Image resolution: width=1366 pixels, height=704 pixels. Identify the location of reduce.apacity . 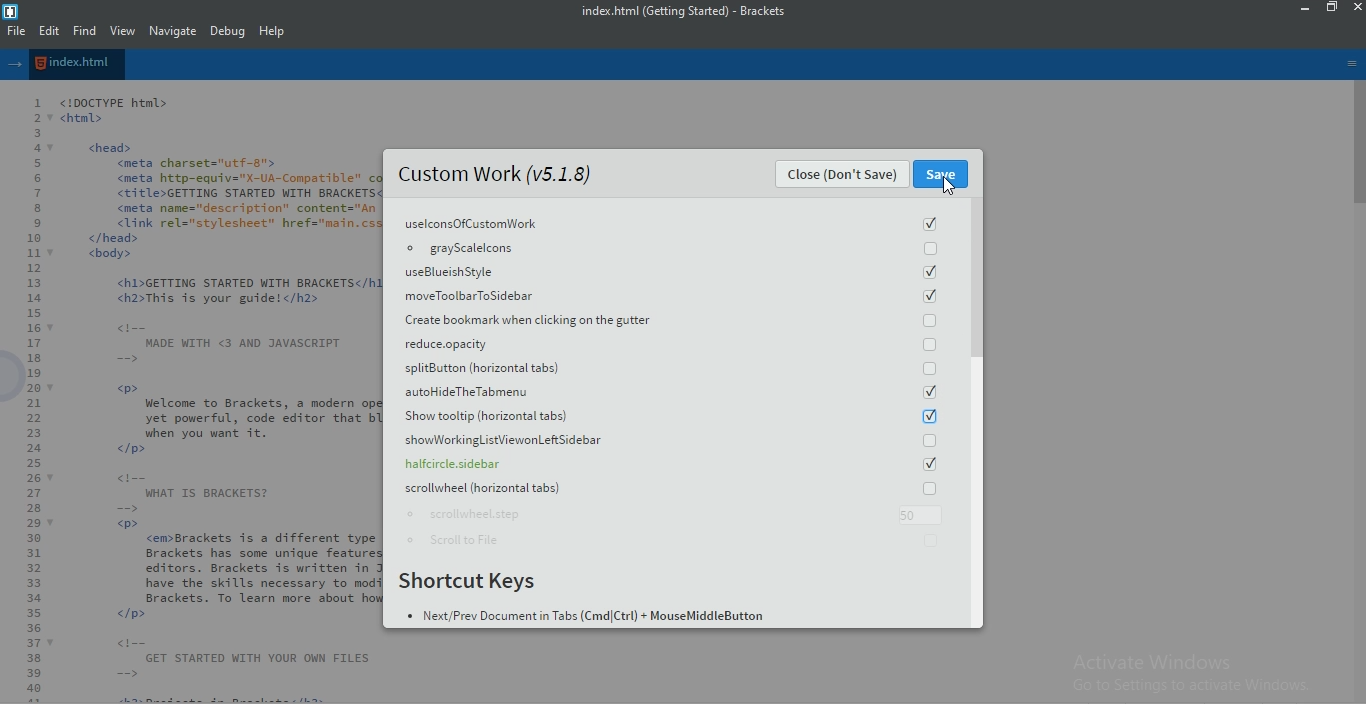
(673, 343).